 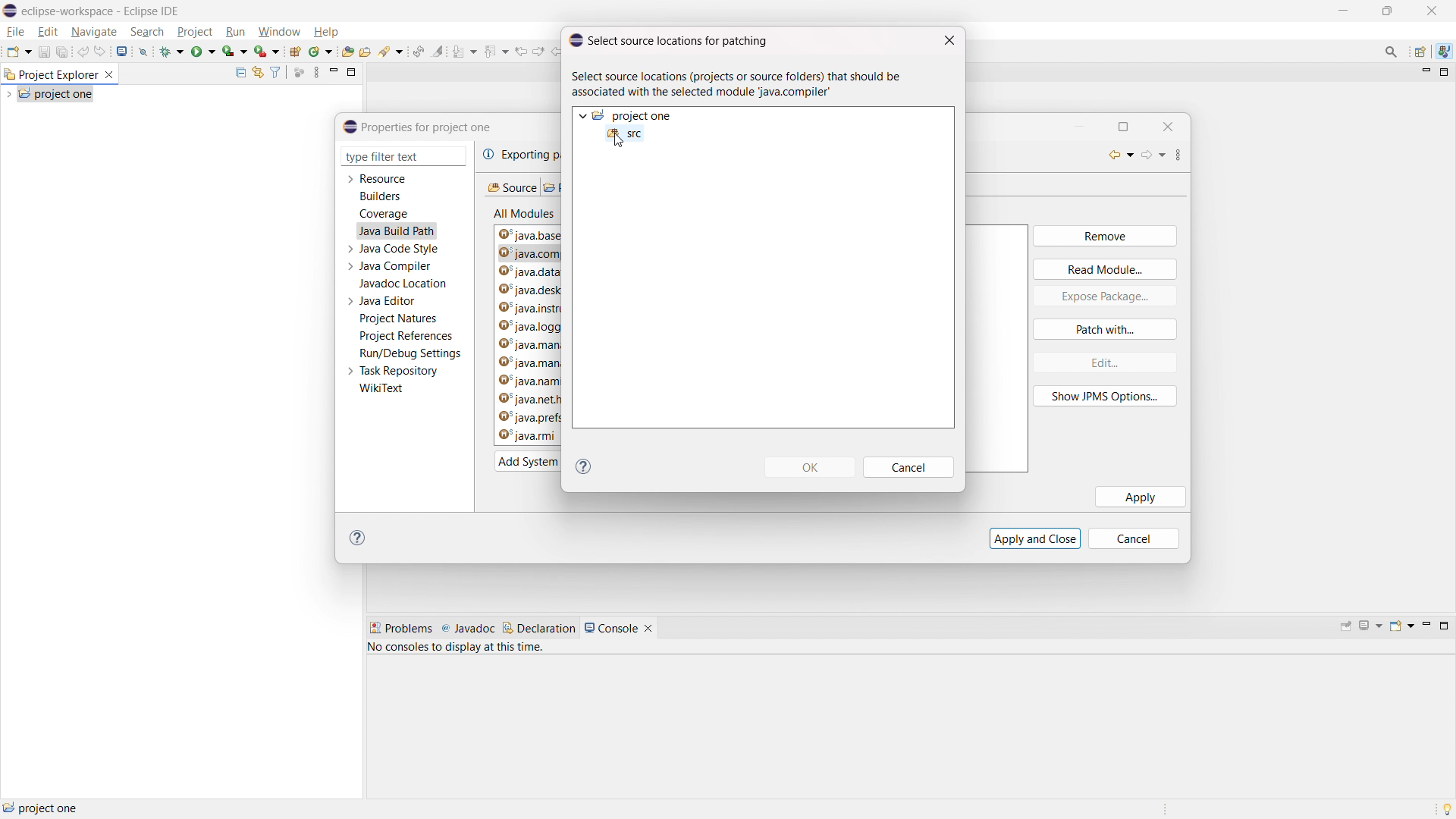 What do you see at coordinates (294, 52) in the screenshot?
I see `new java project` at bounding box center [294, 52].